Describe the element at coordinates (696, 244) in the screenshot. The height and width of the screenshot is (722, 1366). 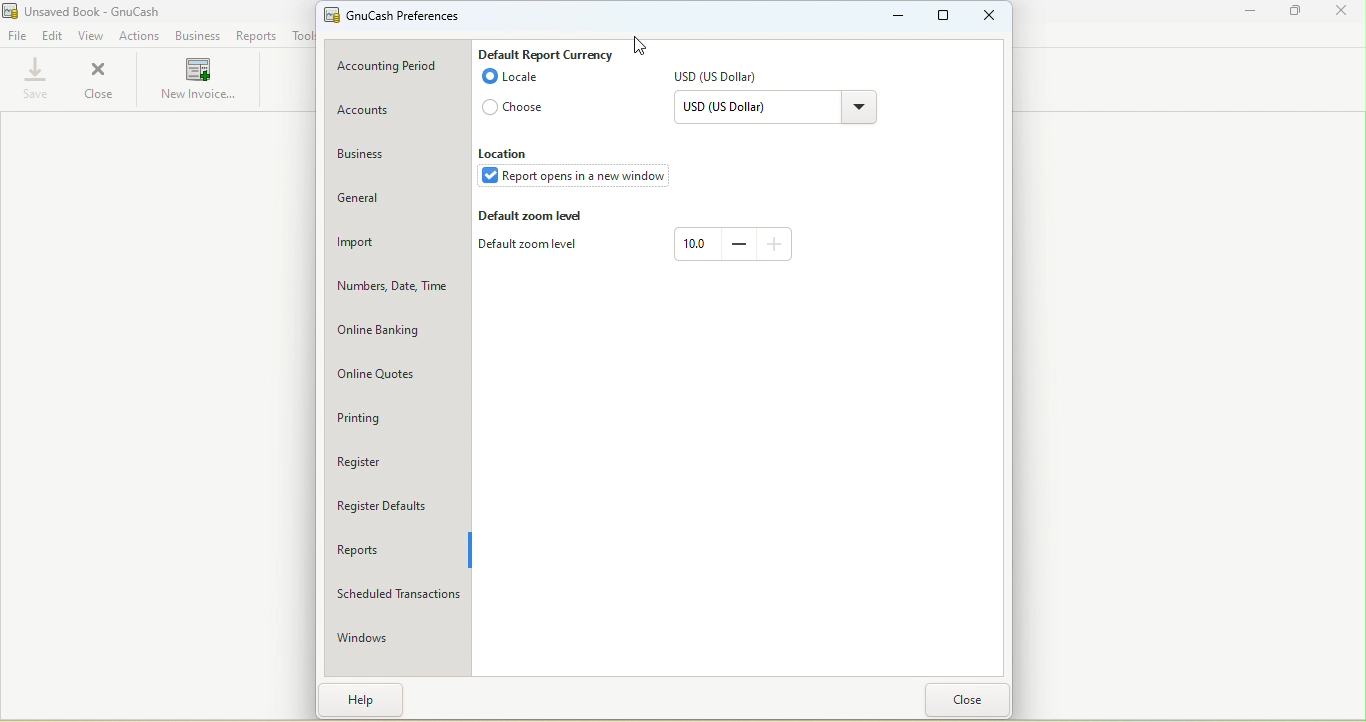
I see `Text box` at that location.